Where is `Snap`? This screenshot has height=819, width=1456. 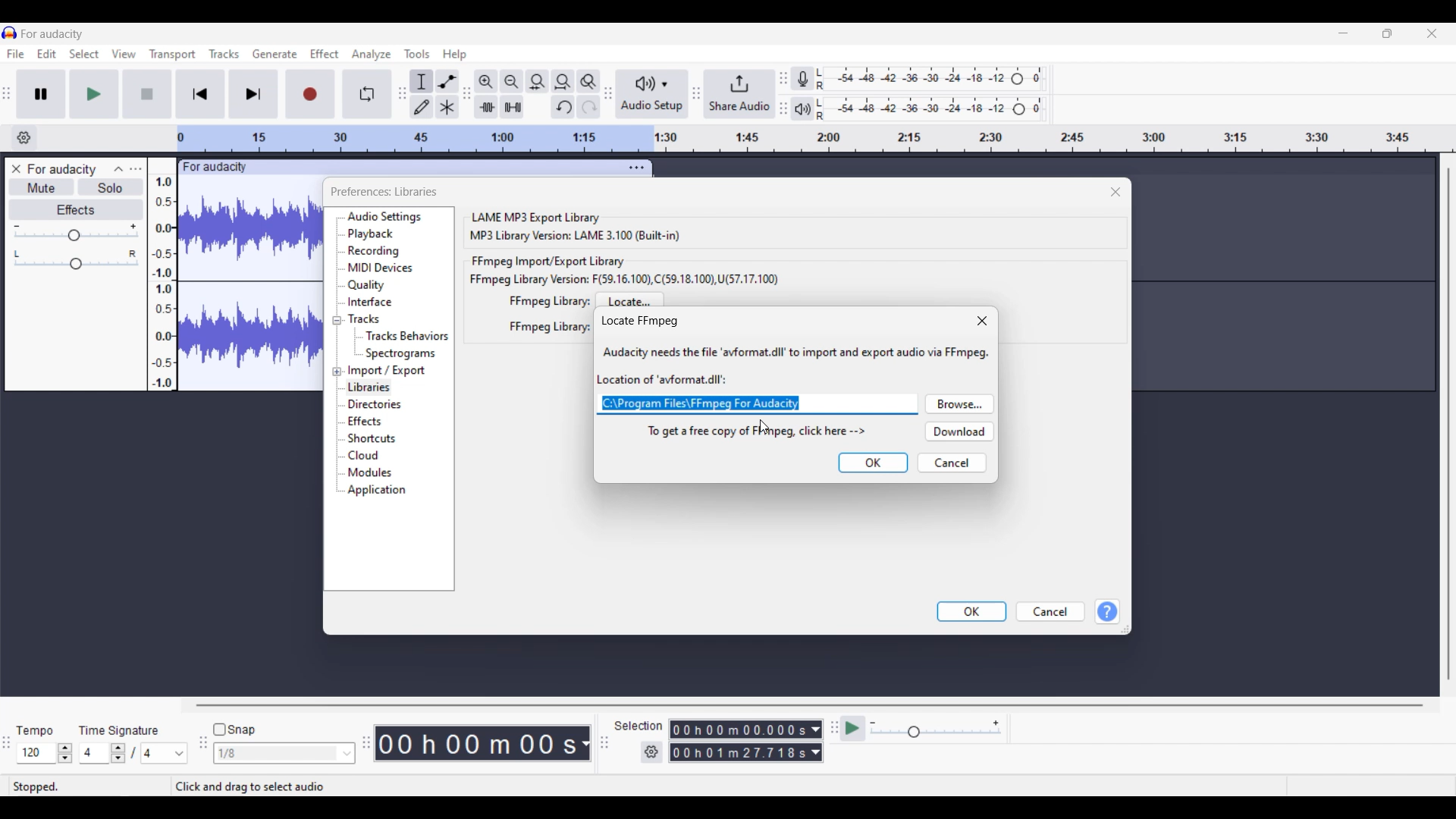 Snap is located at coordinates (234, 729).